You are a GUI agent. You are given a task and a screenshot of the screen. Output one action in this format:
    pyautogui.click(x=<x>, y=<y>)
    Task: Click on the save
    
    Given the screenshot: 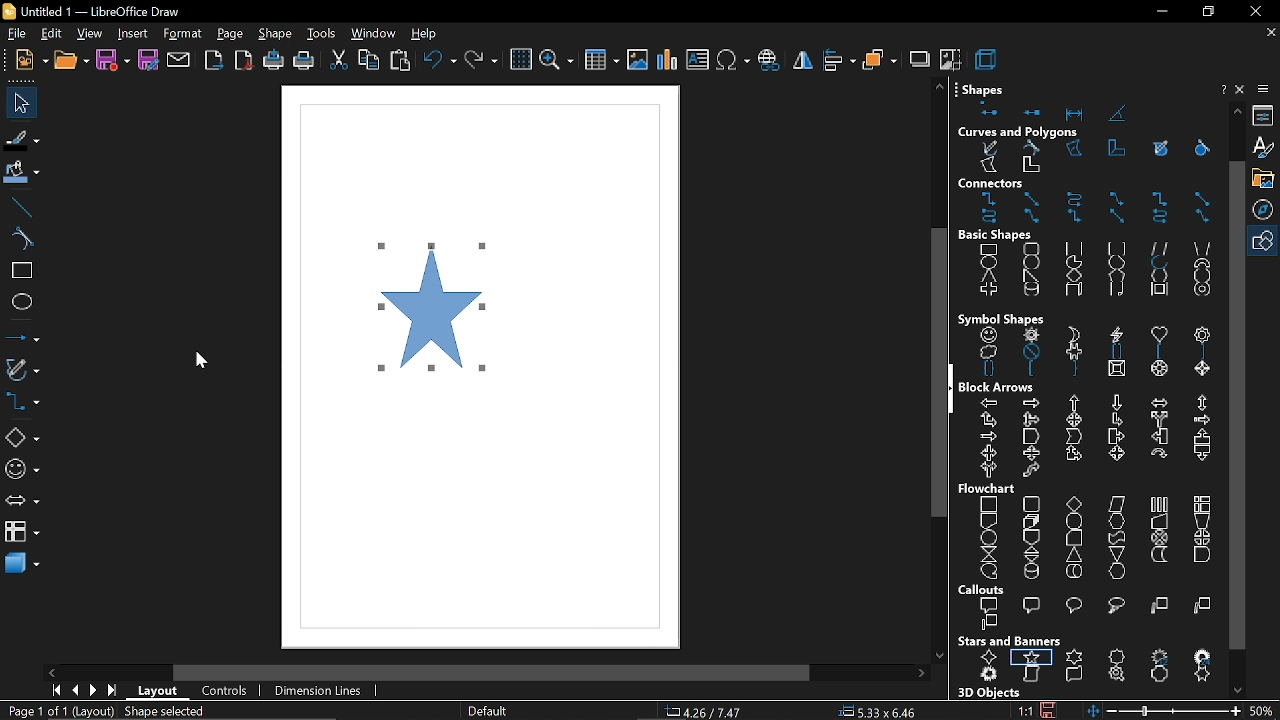 What is the action you would take?
    pyautogui.click(x=113, y=61)
    